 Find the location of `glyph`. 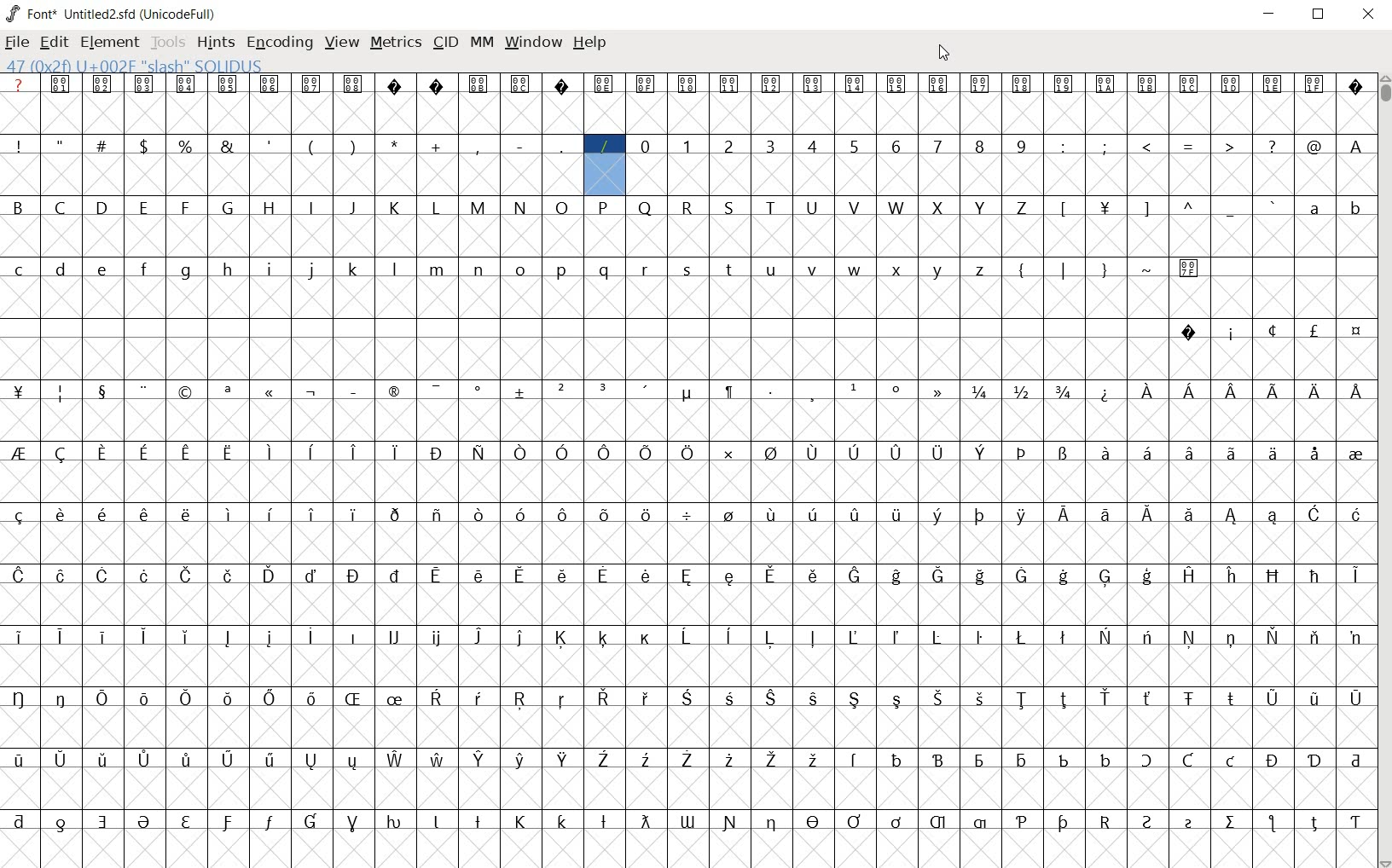

glyph is located at coordinates (604, 822).